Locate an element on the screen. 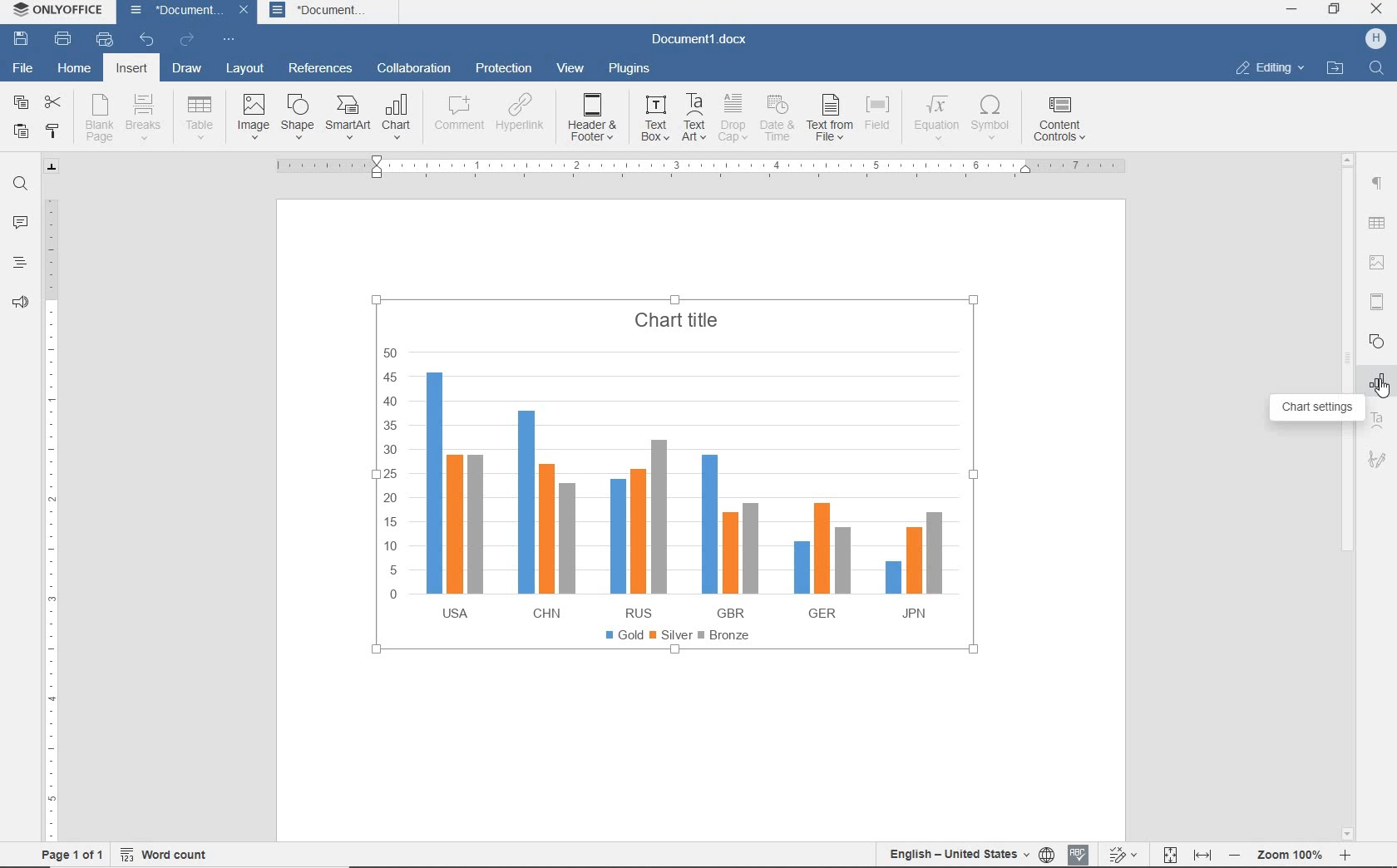 The image size is (1397, 868). editing is located at coordinates (1269, 70).